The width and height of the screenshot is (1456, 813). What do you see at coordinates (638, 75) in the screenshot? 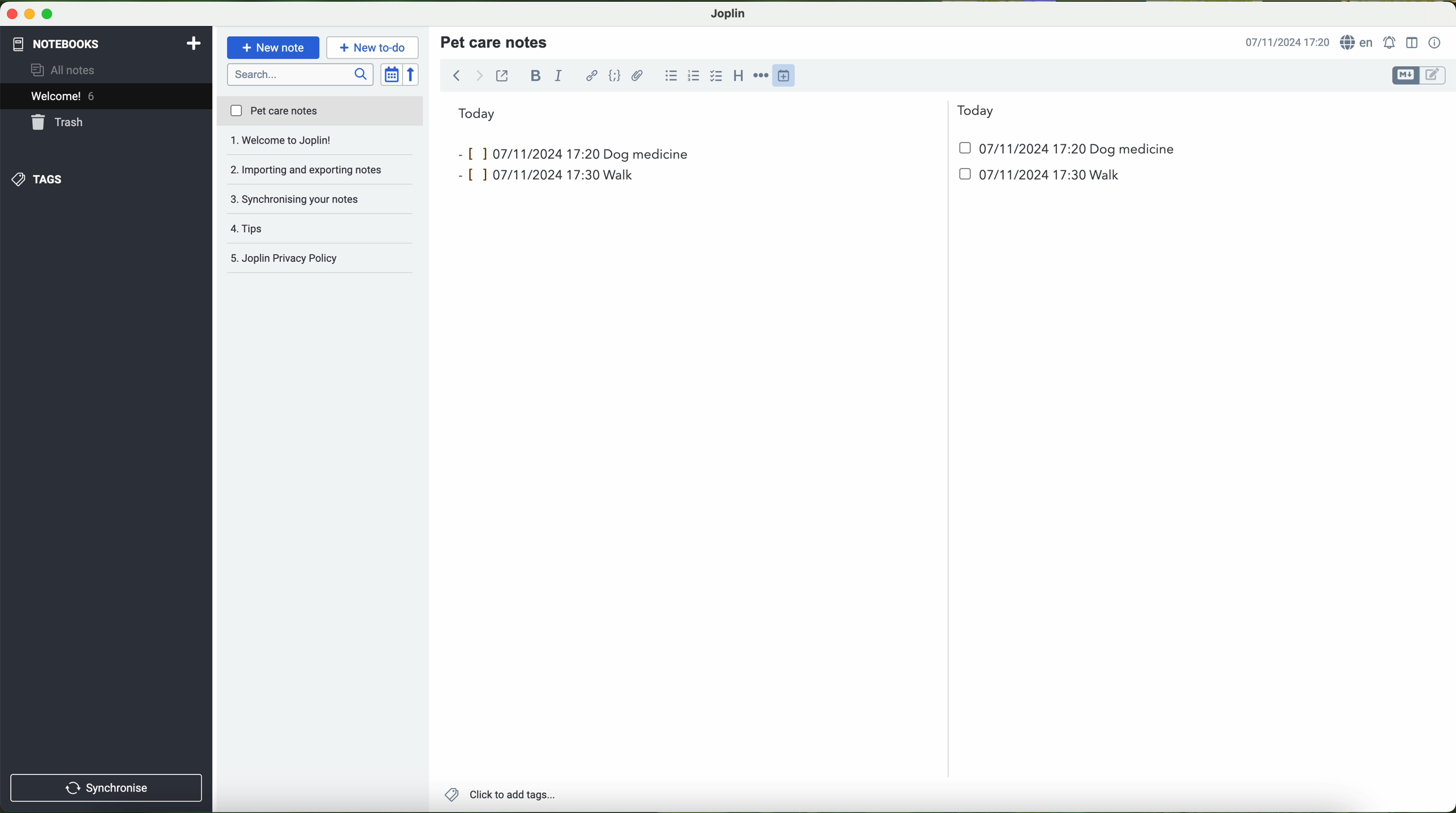
I see `attach file` at bounding box center [638, 75].